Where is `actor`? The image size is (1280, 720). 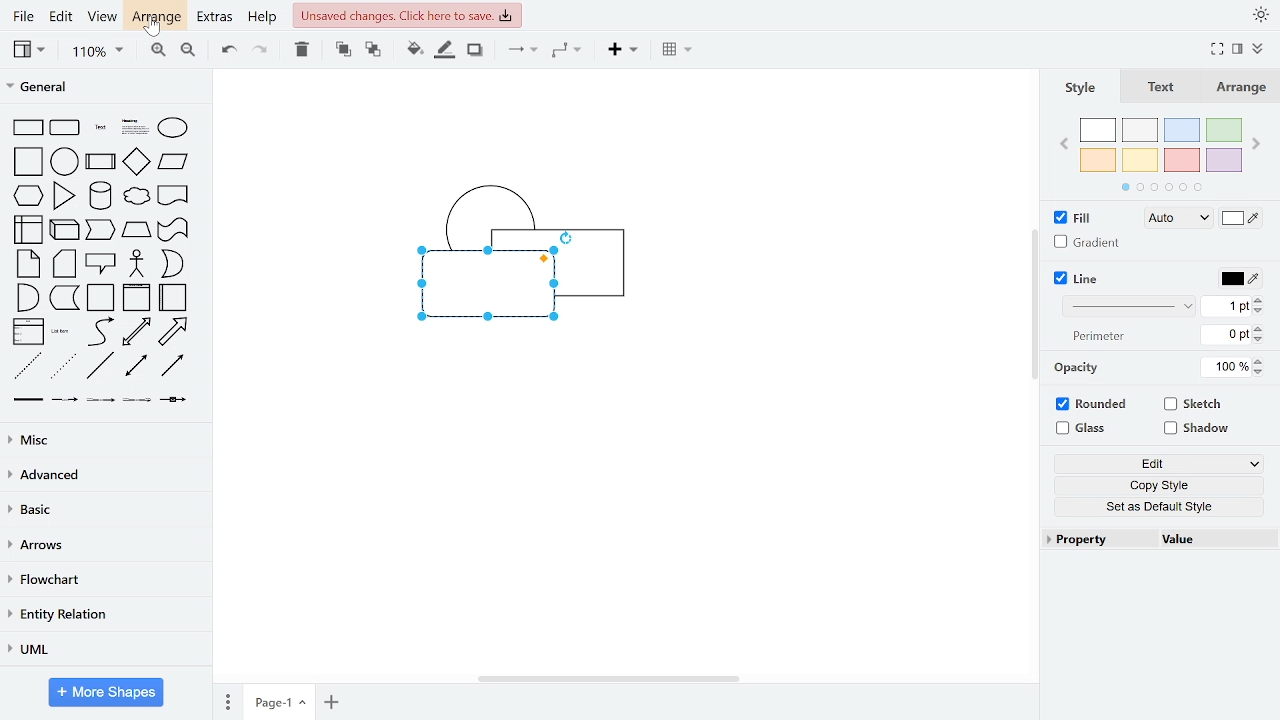
actor is located at coordinates (136, 263).